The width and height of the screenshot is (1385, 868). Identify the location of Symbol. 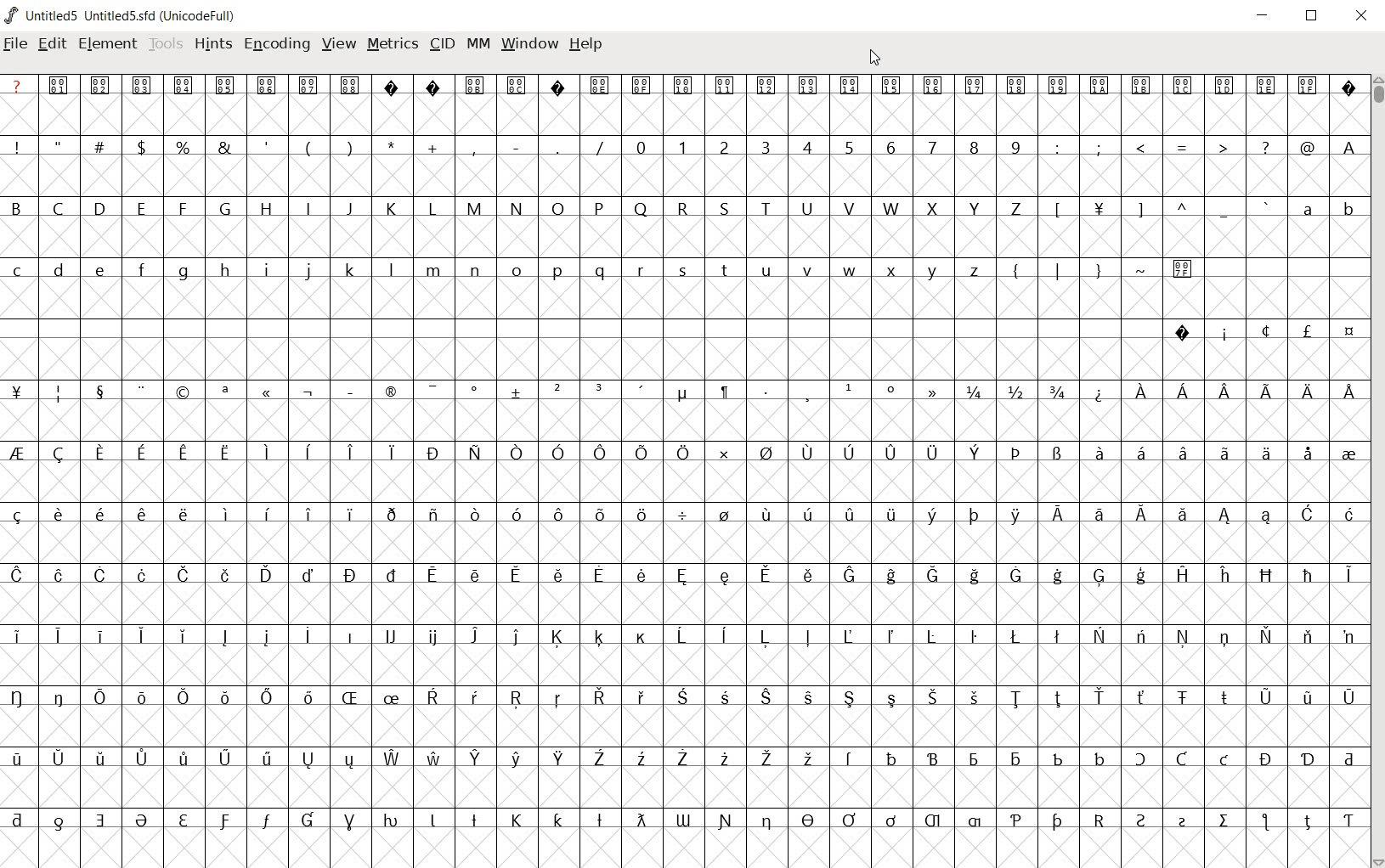
(558, 759).